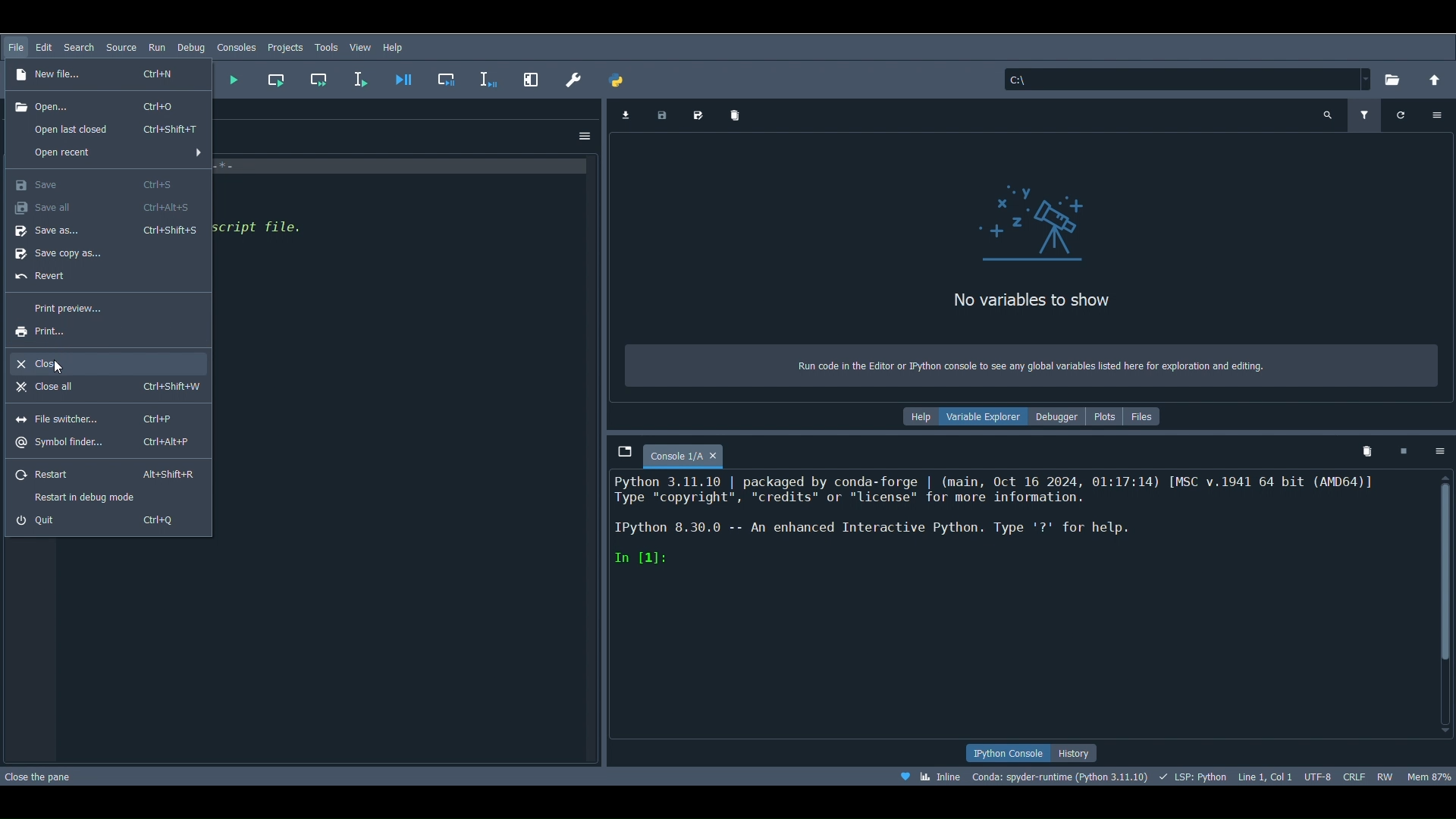 Image resolution: width=1456 pixels, height=819 pixels. Describe the element at coordinates (1394, 80) in the screenshot. I see `Browse a working directory` at that location.